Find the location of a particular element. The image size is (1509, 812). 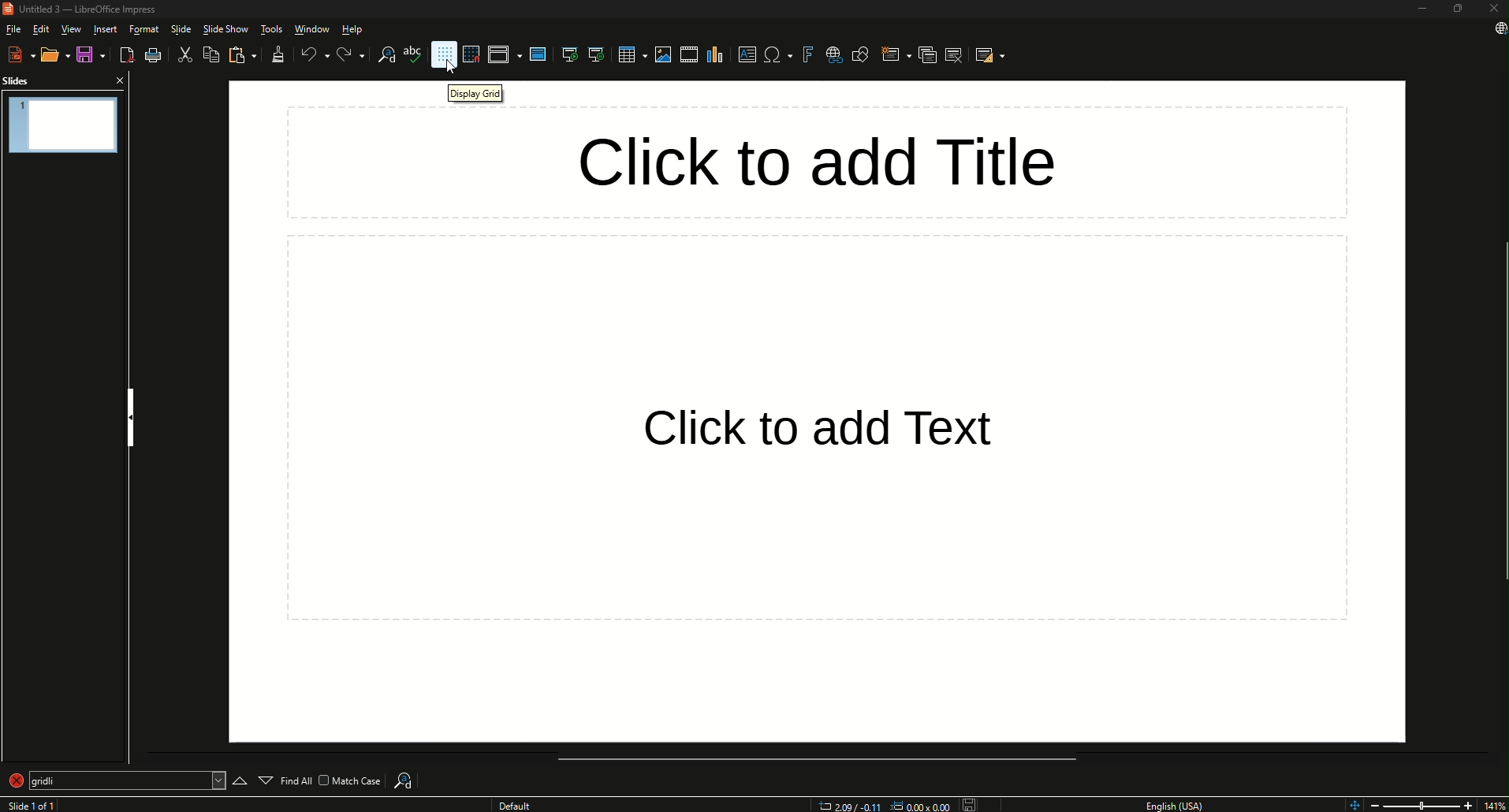

Master slide is located at coordinates (537, 55).